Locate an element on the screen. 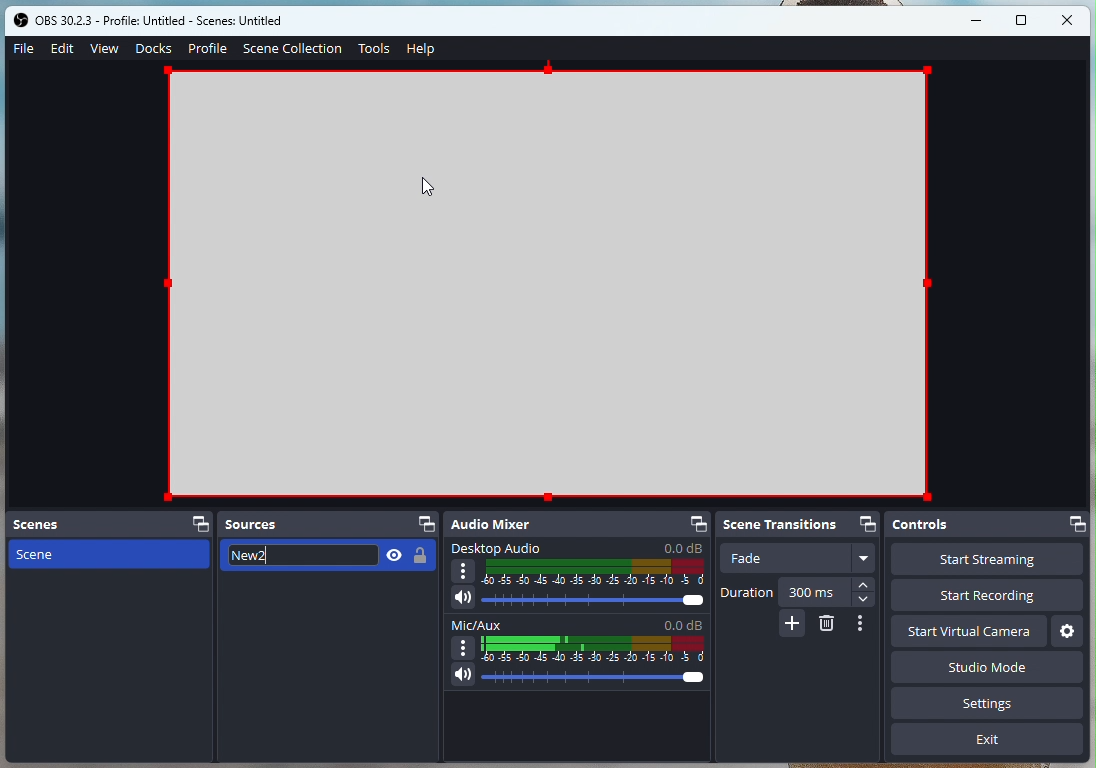 Image resolution: width=1096 pixels, height=768 pixels. Scene transitions is located at coordinates (802, 524).